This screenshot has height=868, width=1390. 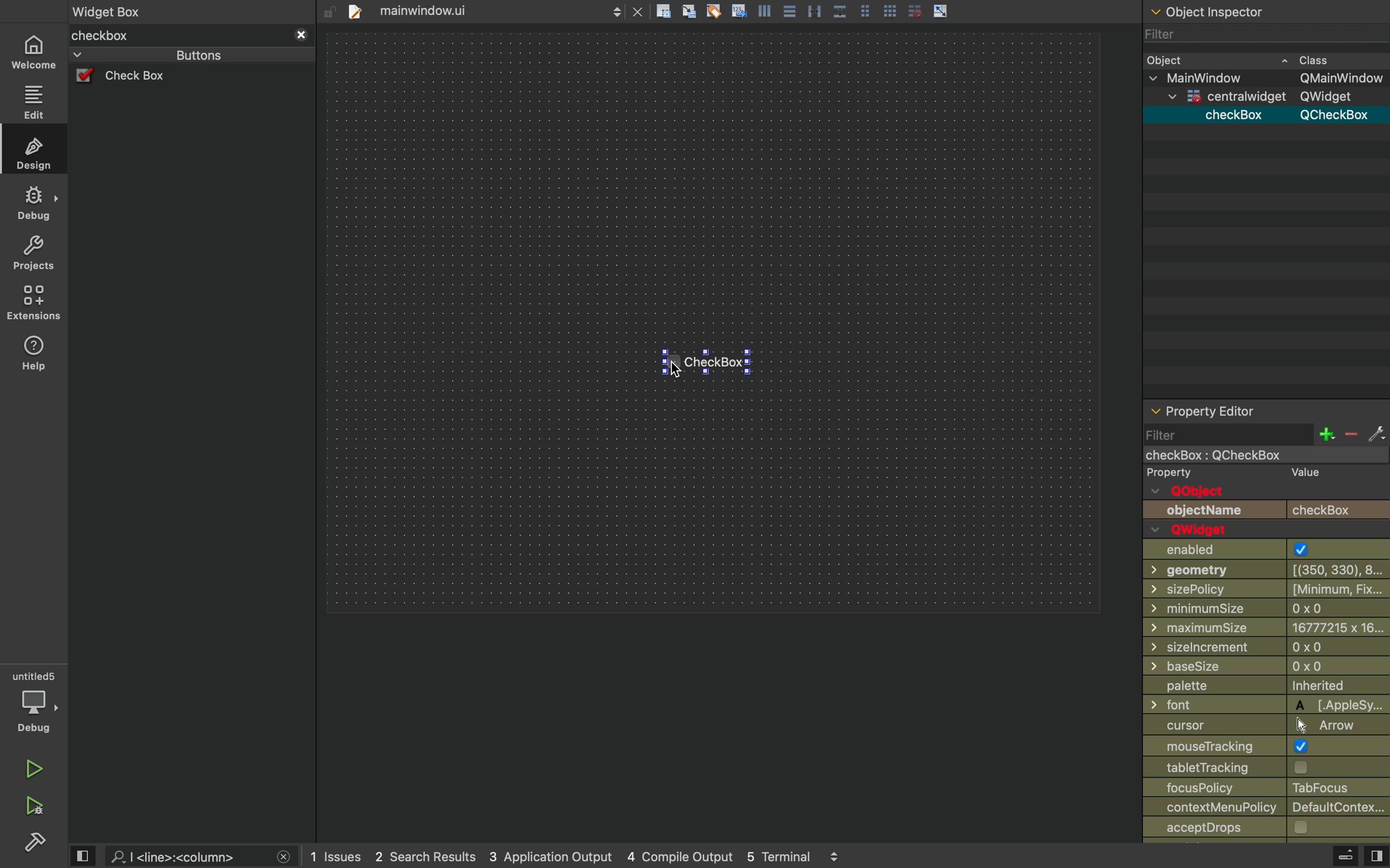 What do you see at coordinates (1269, 569) in the screenshot?
I see `geometry` at bounding box center [1269, 569].